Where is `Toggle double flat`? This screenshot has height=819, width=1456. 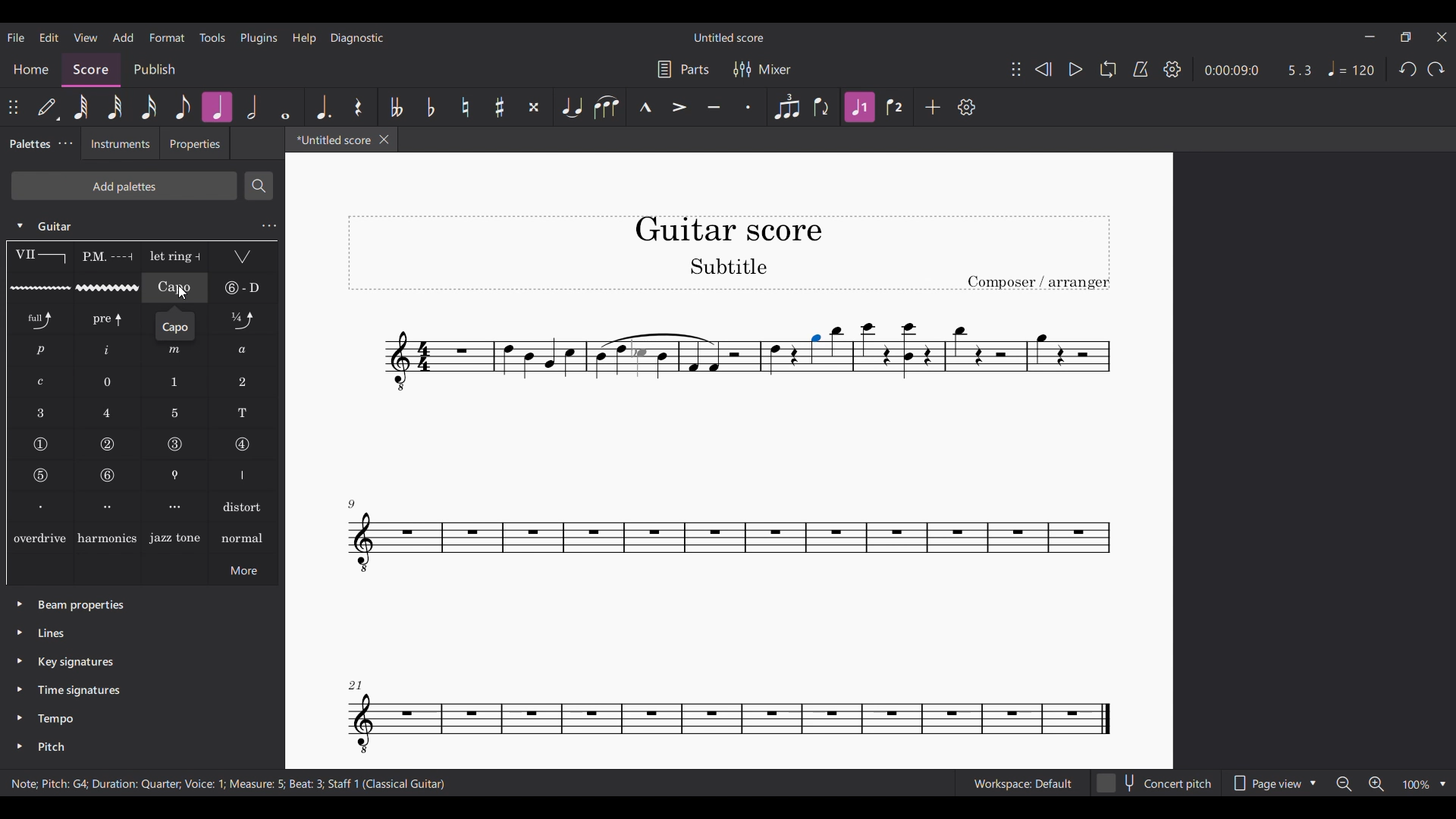
Toggle double flat is located at coordinates (396, 107).